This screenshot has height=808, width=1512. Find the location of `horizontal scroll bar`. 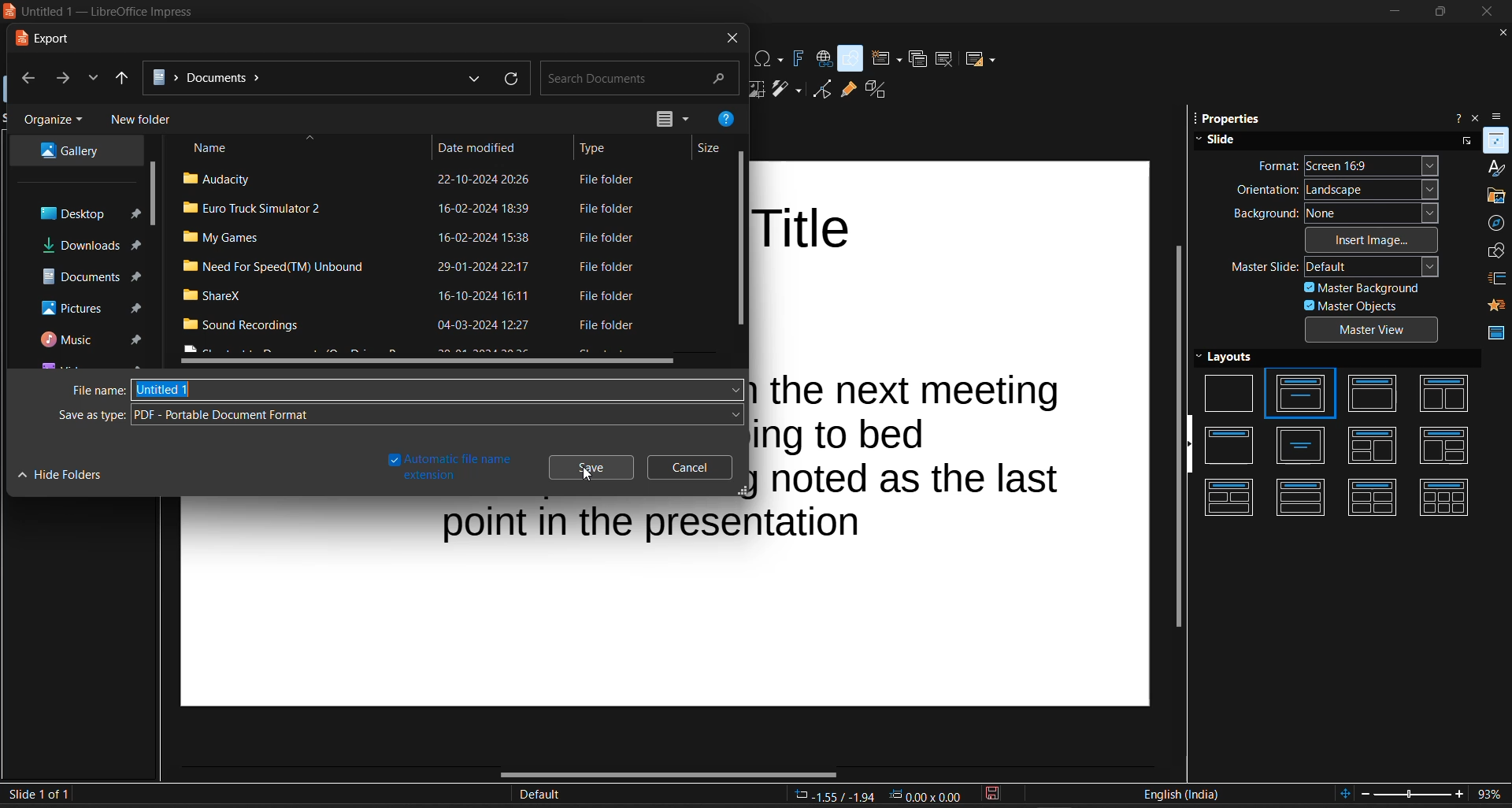

horizontal scroll bar is located at coordinates (668, 773).